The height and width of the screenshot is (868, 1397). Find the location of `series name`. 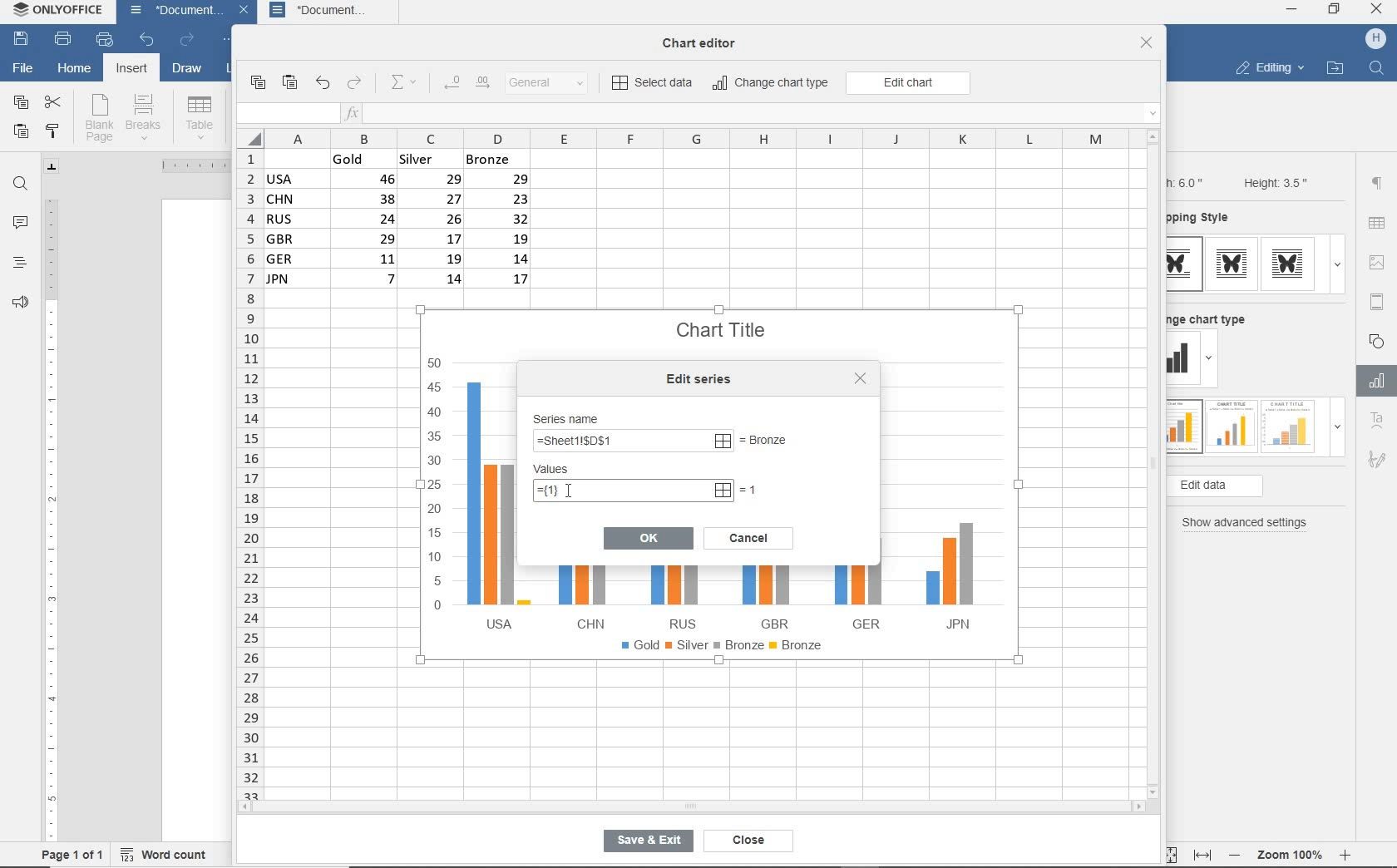

series name is located at coordinates (571, 417).